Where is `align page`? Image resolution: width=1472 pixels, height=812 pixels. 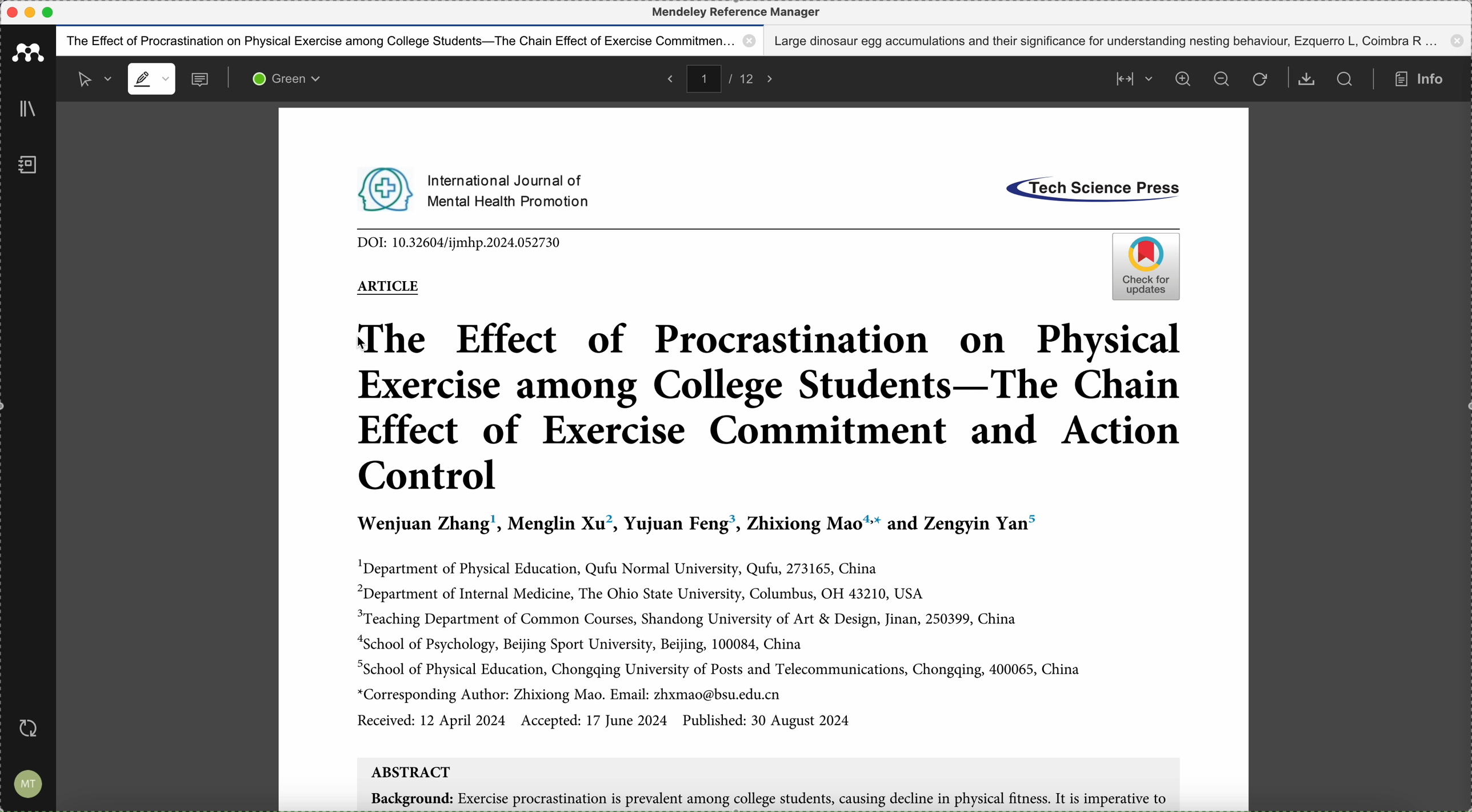
align page is located at coordinates (1131, 78).